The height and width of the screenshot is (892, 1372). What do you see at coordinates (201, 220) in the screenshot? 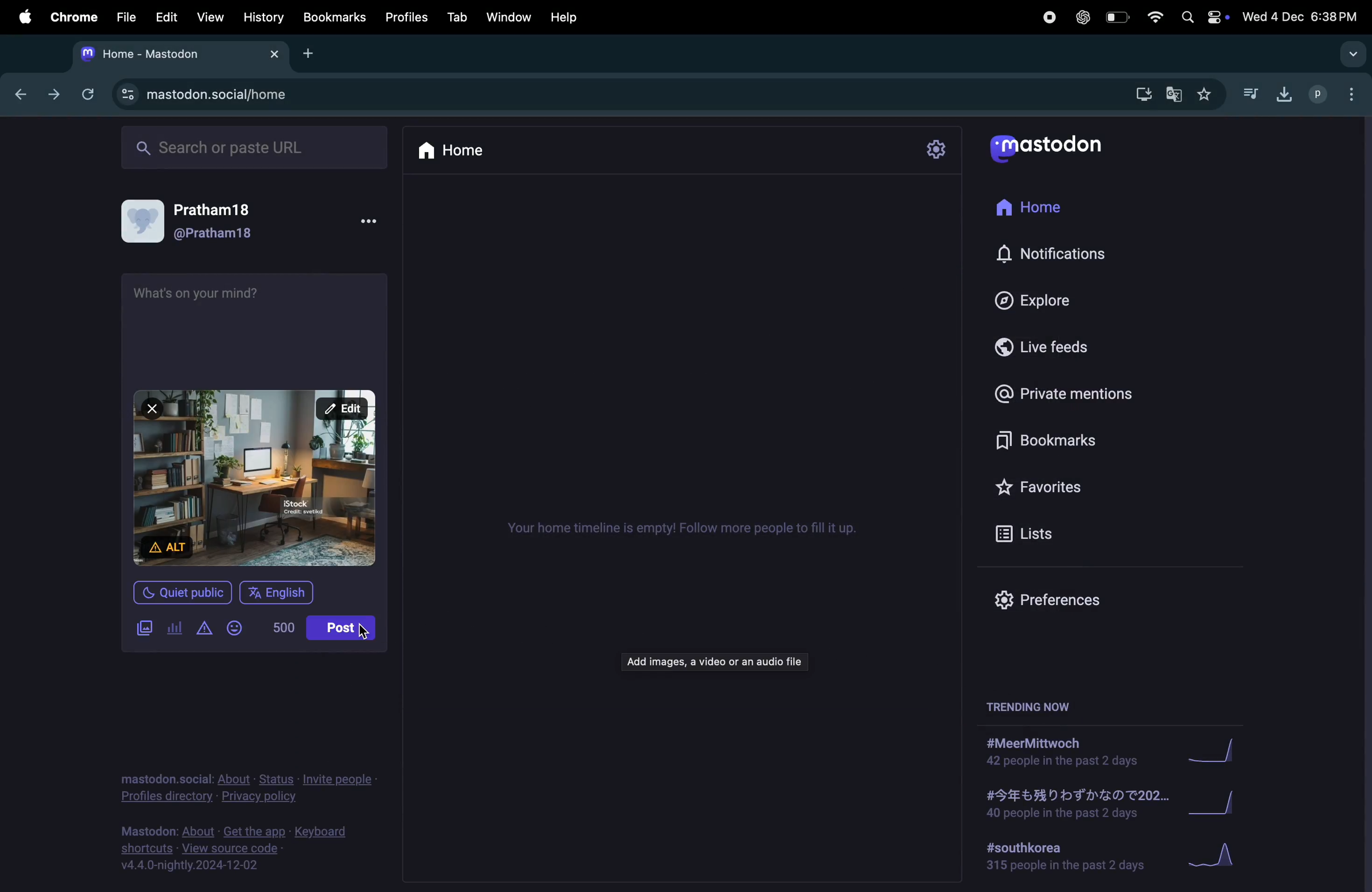
I see `user profile` at bounding box center [201, 220].